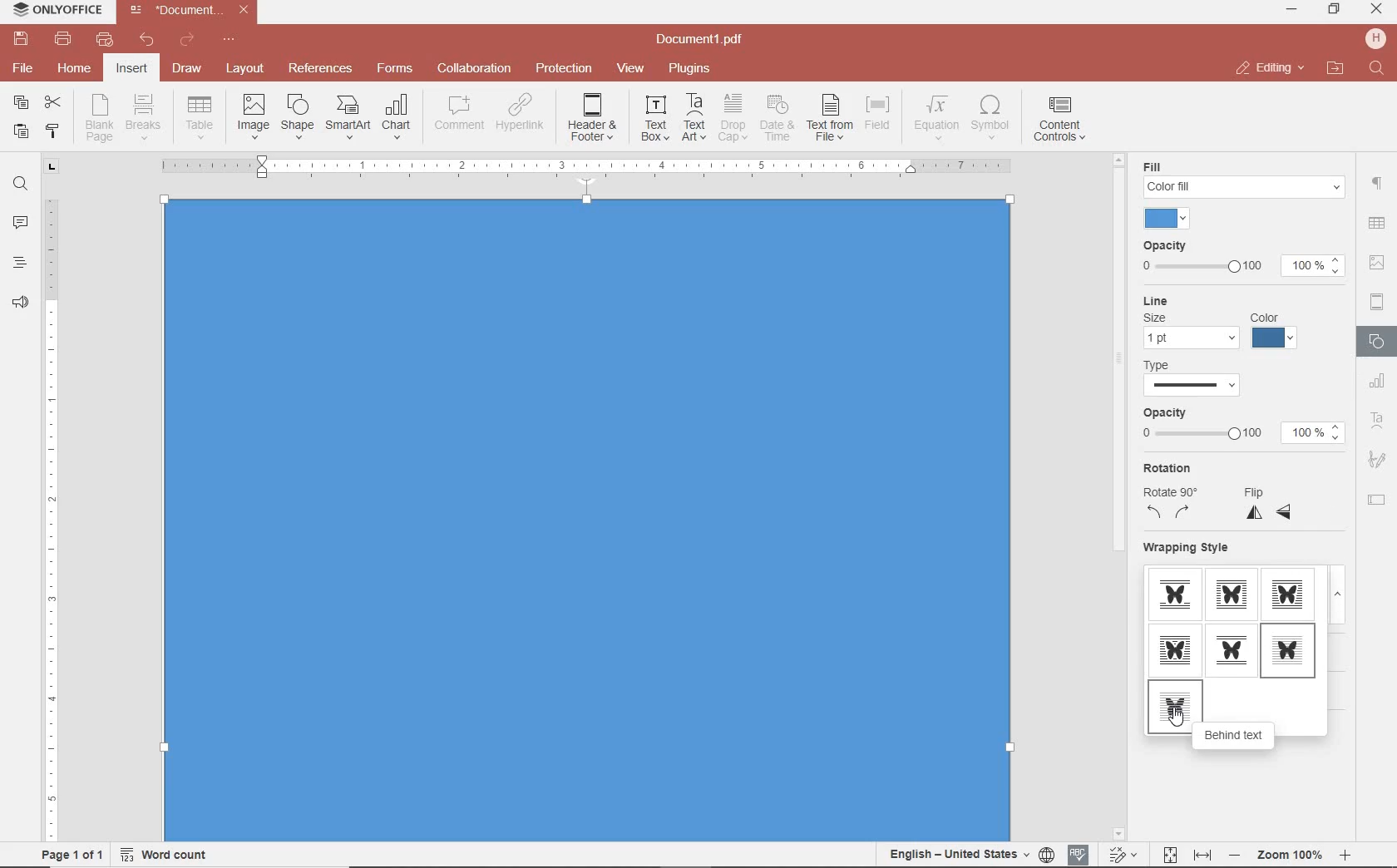  What do you see at coordinates (1059, 120) in the screenshot?
I see `INSERT CONTENT CONTROLS` at bounding box center [1059, 120].